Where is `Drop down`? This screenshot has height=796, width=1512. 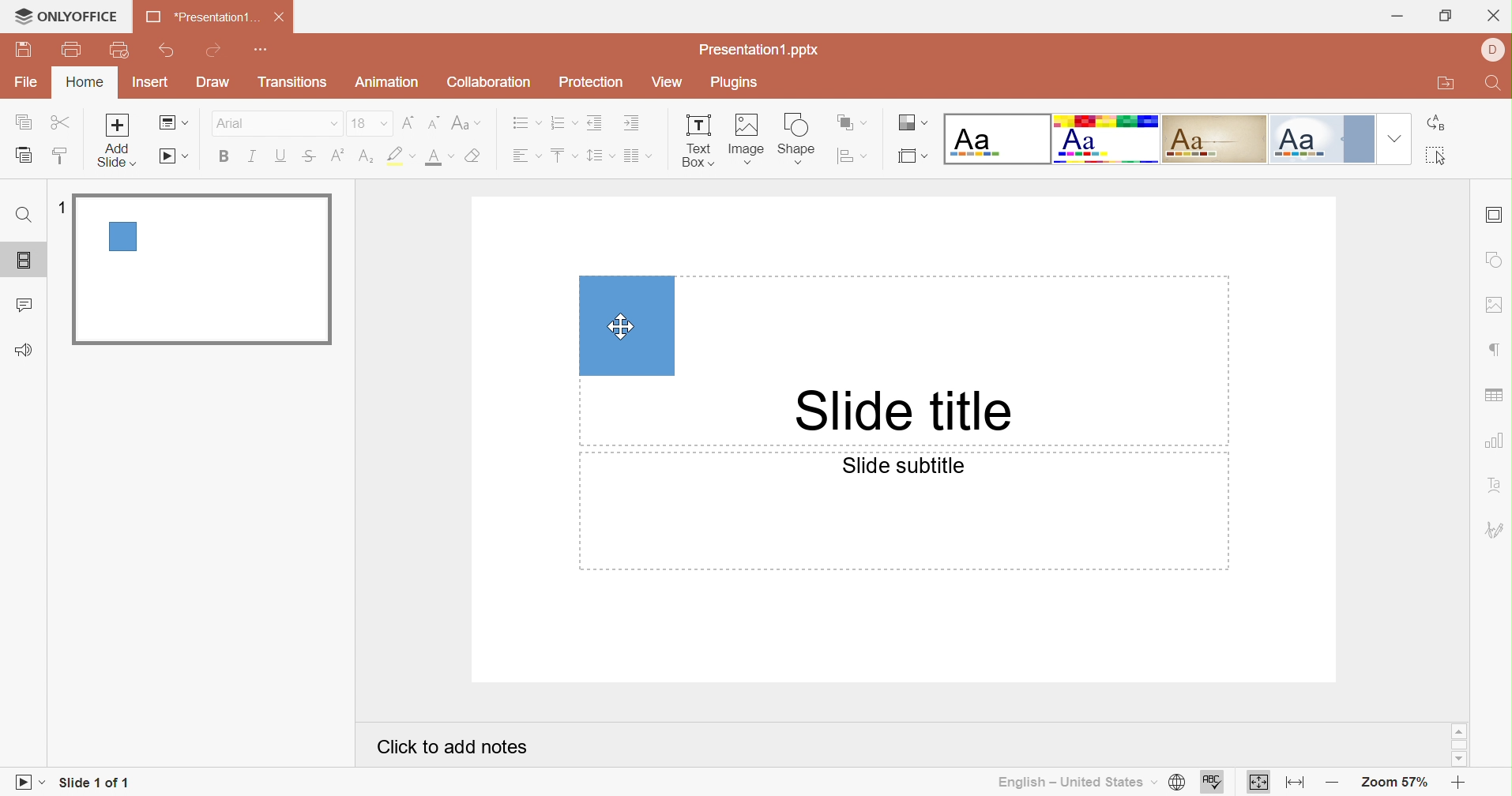 Drop down is located at coordinates (1396, 138).